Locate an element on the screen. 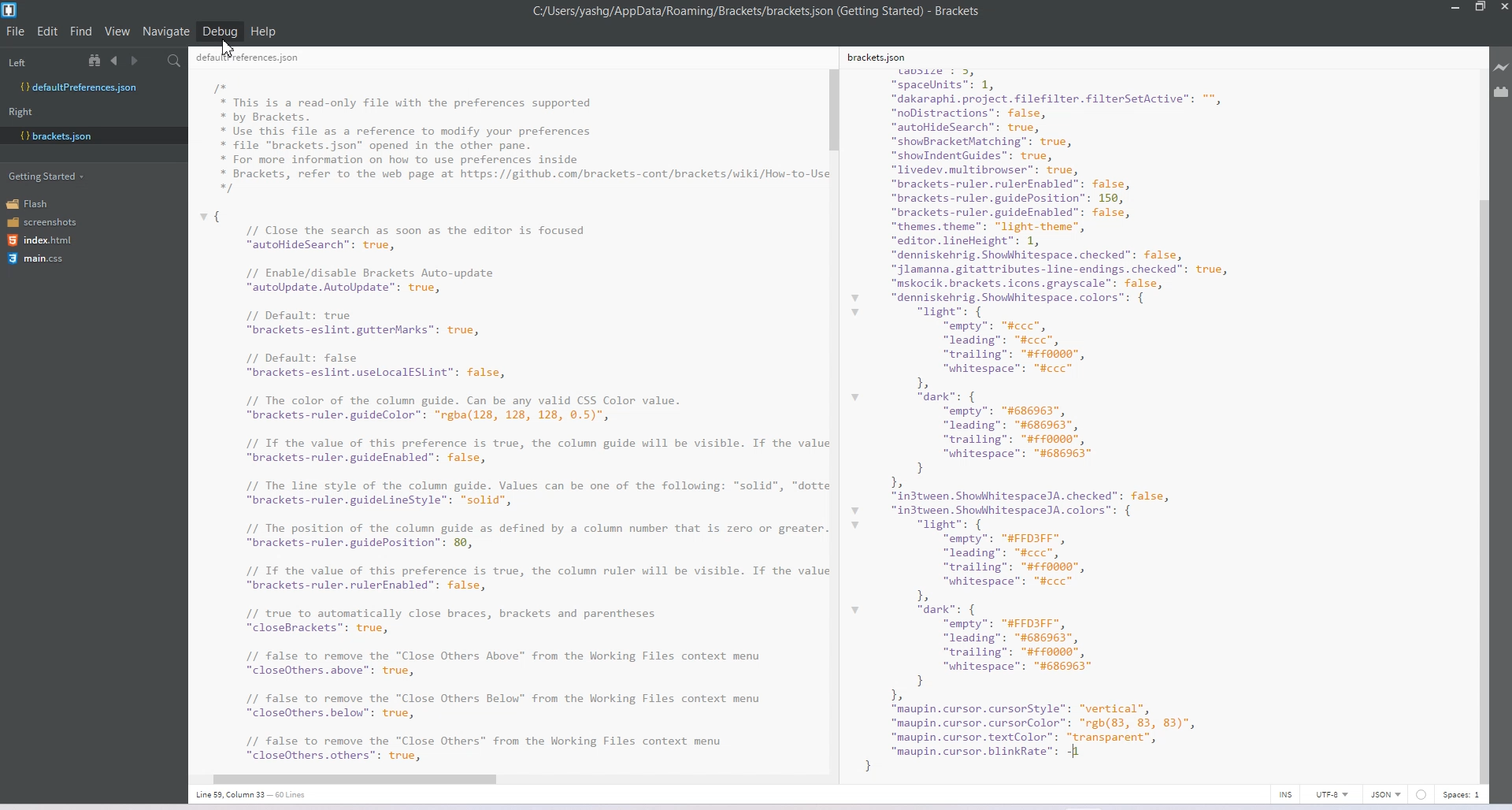 Image resolution: width=1512 pixels, height=810 pixels. Navigate is located at coordinates (168, 32).